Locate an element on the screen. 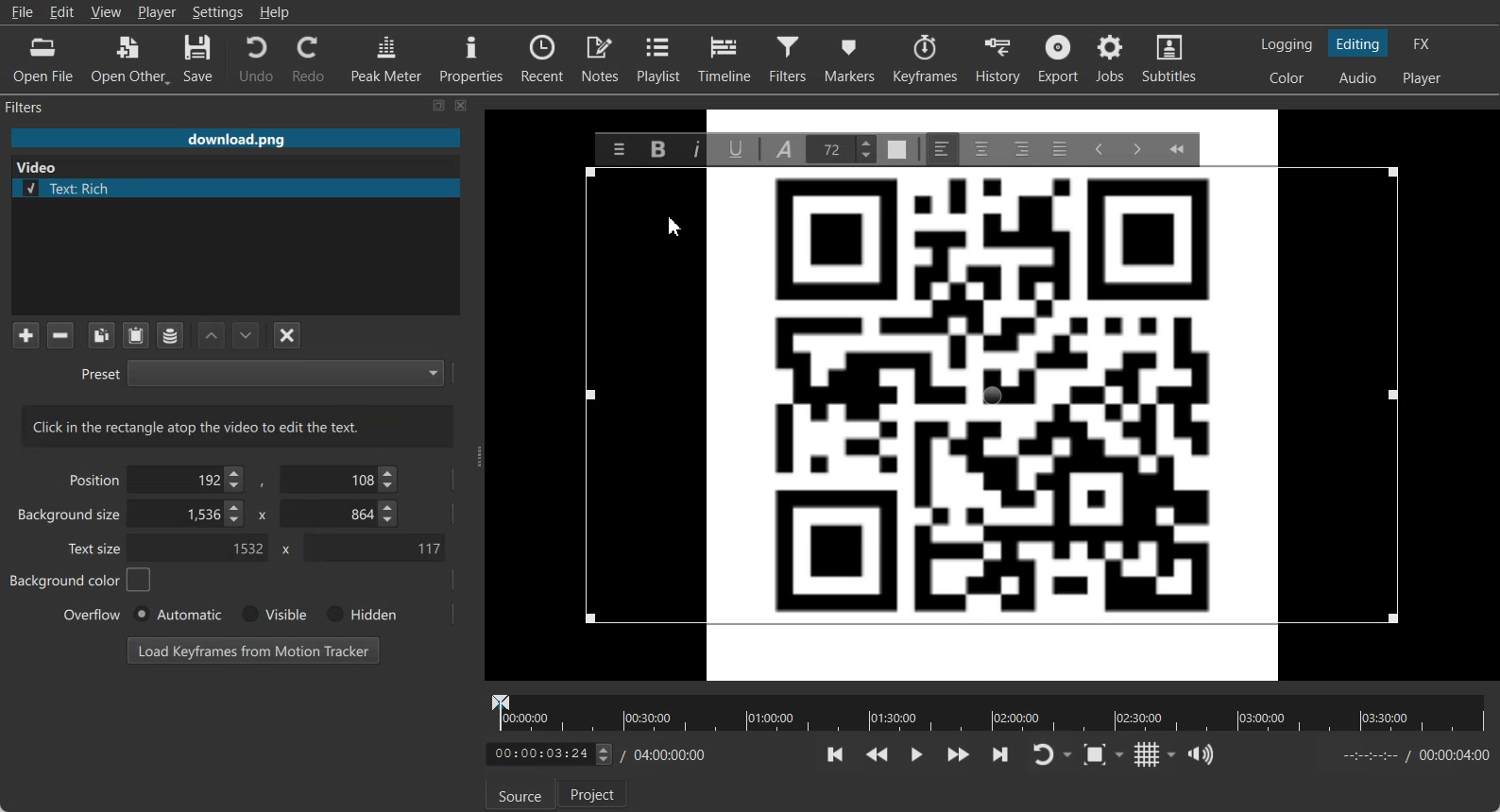 The height and width of the screenshot is (812, 1500). Drop down box is located at coordinates (1069, 755).